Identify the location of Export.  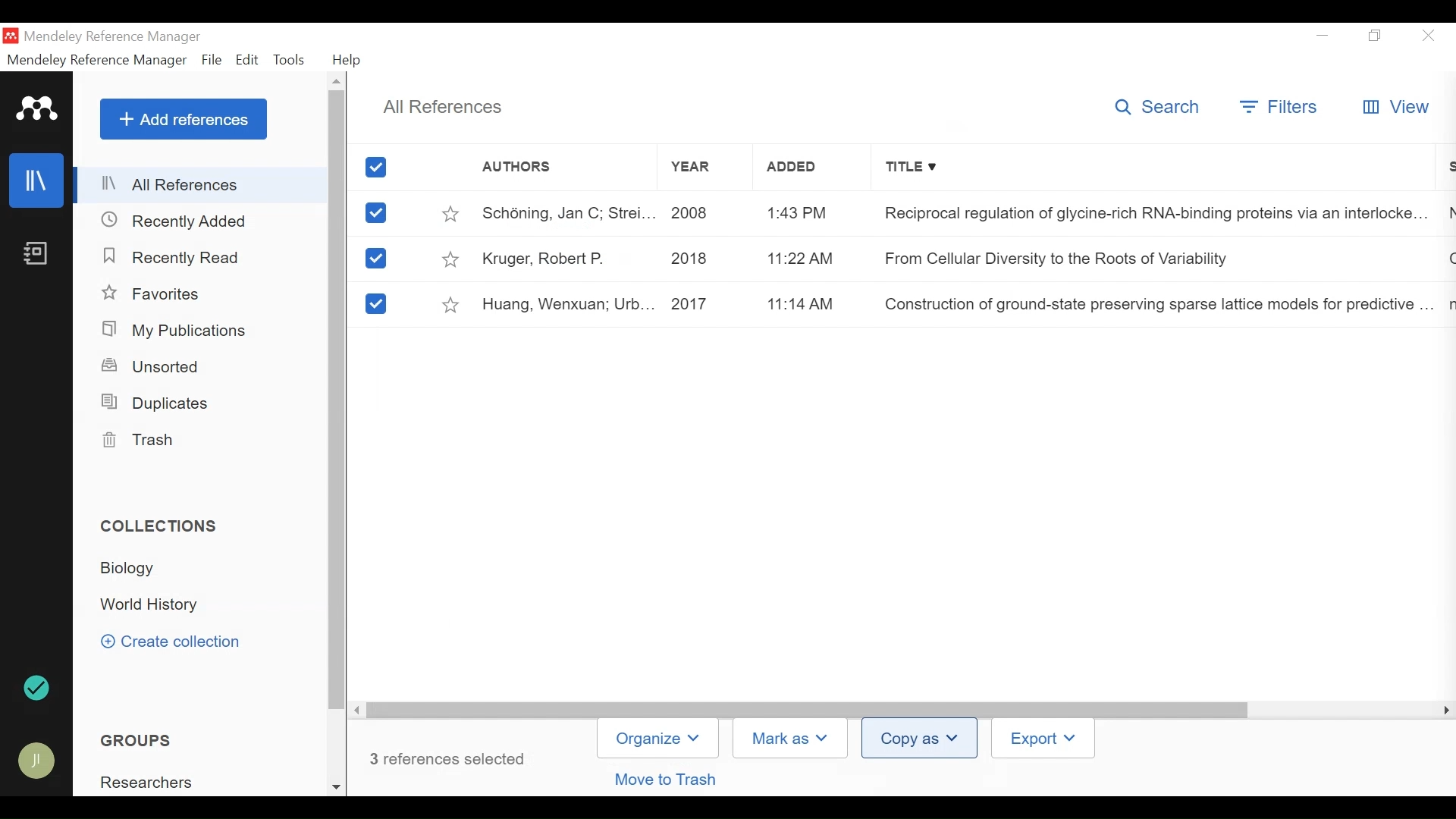
(1041, 739).